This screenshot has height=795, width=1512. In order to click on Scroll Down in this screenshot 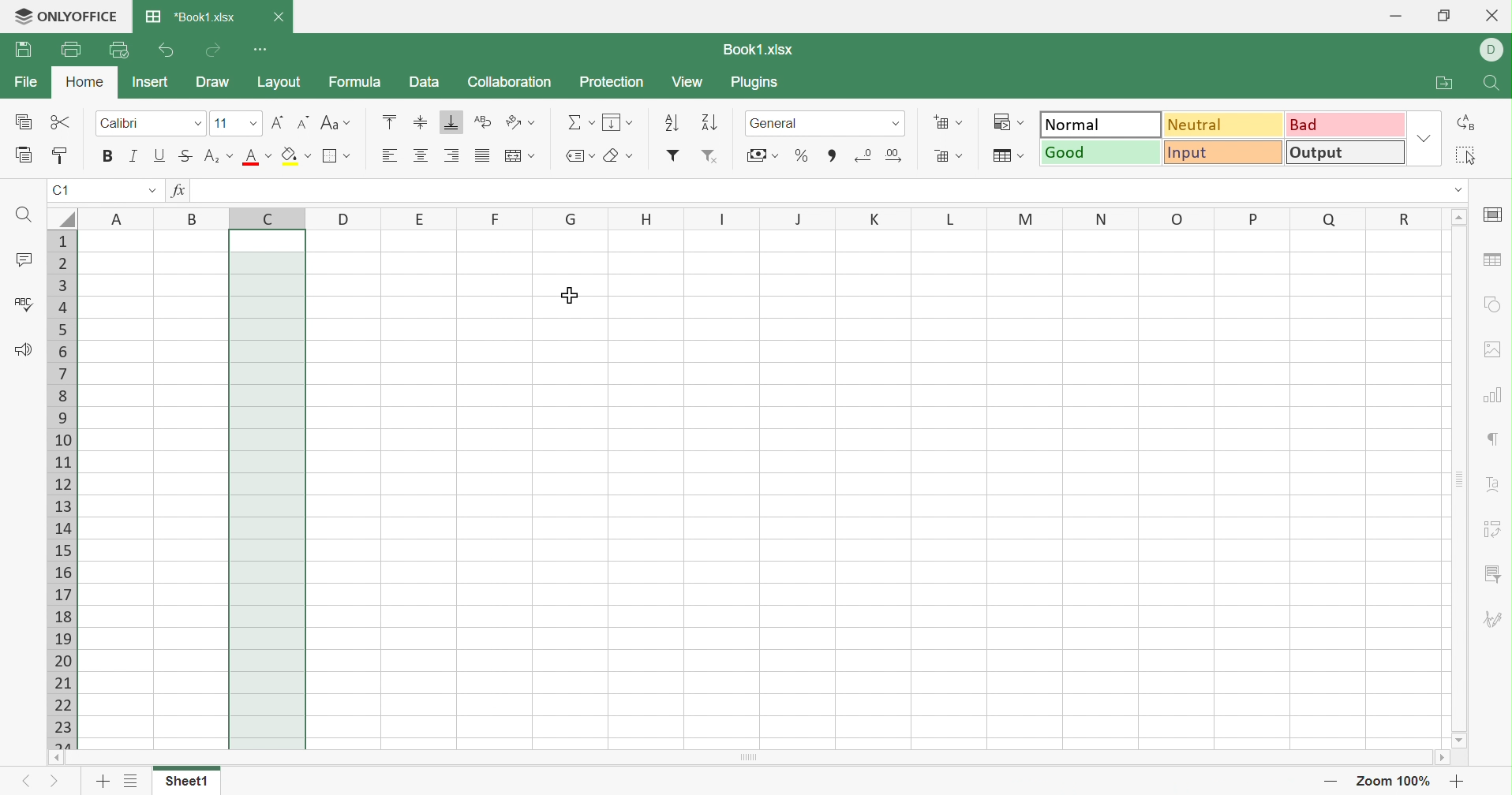, I will do `click(1462, 741)`.